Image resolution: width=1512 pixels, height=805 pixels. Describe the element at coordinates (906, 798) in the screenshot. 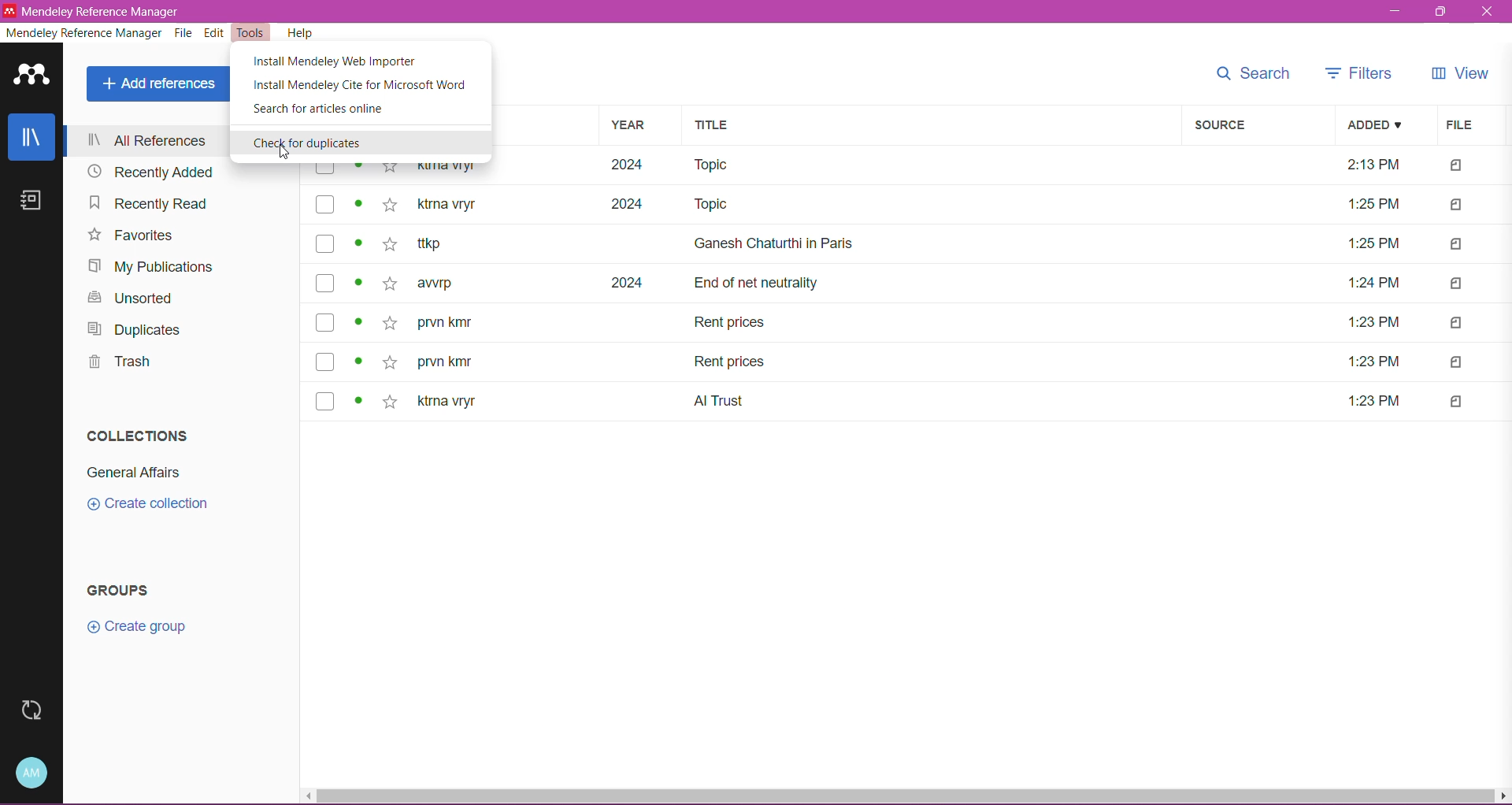

I see `Horizontal Scroll Bar` at that location.